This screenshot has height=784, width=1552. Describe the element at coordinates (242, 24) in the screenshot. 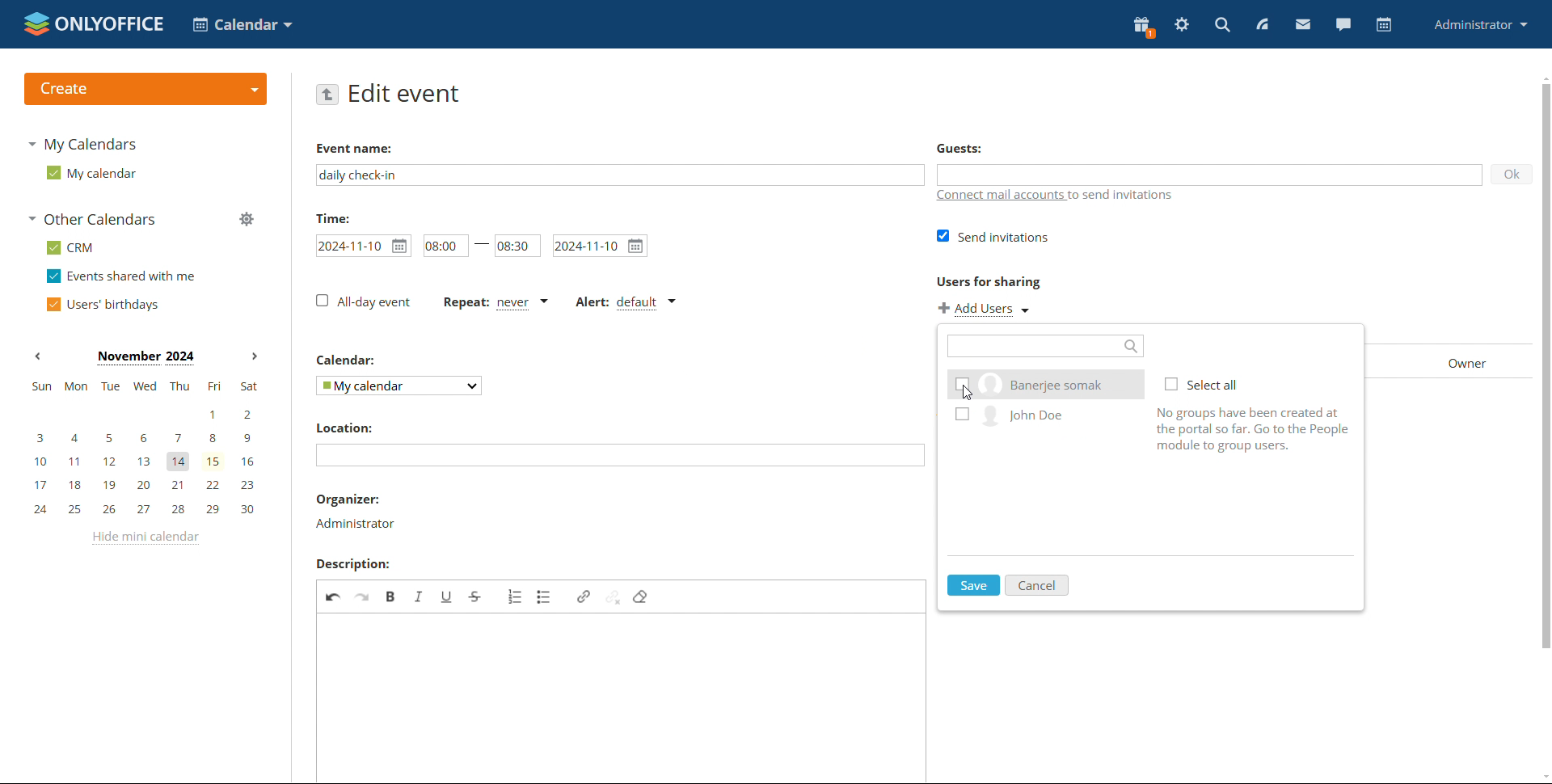

I see `select application` at that location.